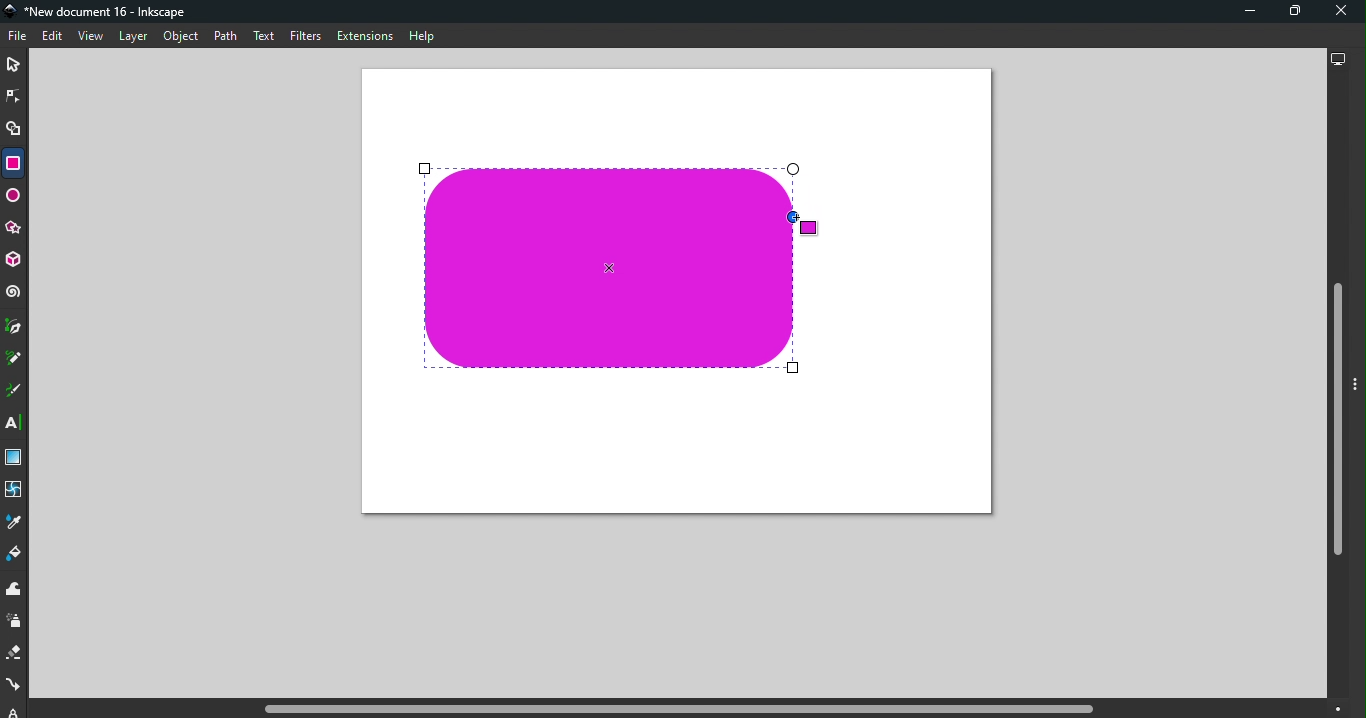 The height and width of the screenshot is (718, 1366). I want to click on Connector tool, so click(14, 686).